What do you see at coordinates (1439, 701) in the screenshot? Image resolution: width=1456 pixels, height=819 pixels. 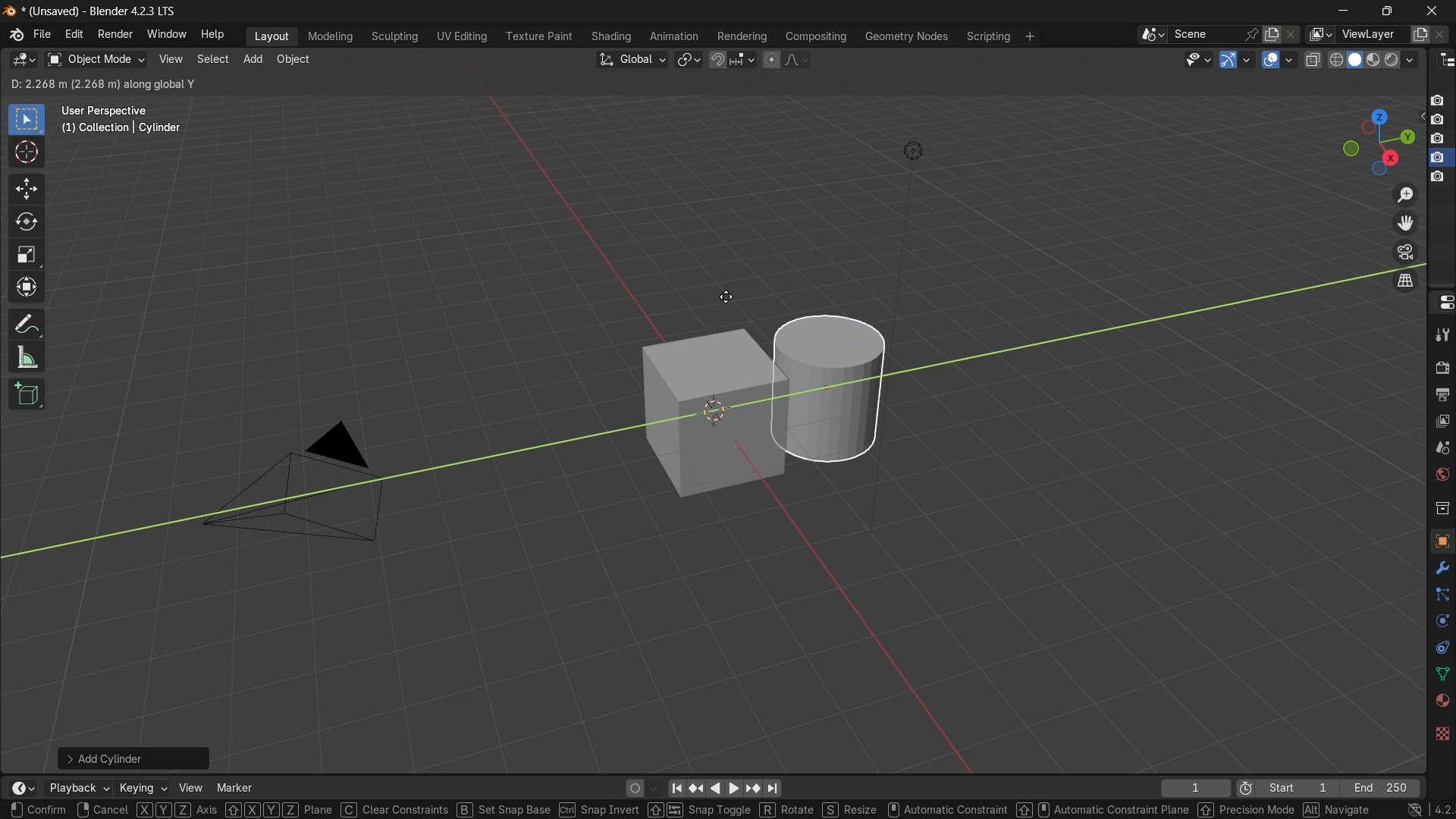 I see `sphere` at bounding box center [1439, 701].